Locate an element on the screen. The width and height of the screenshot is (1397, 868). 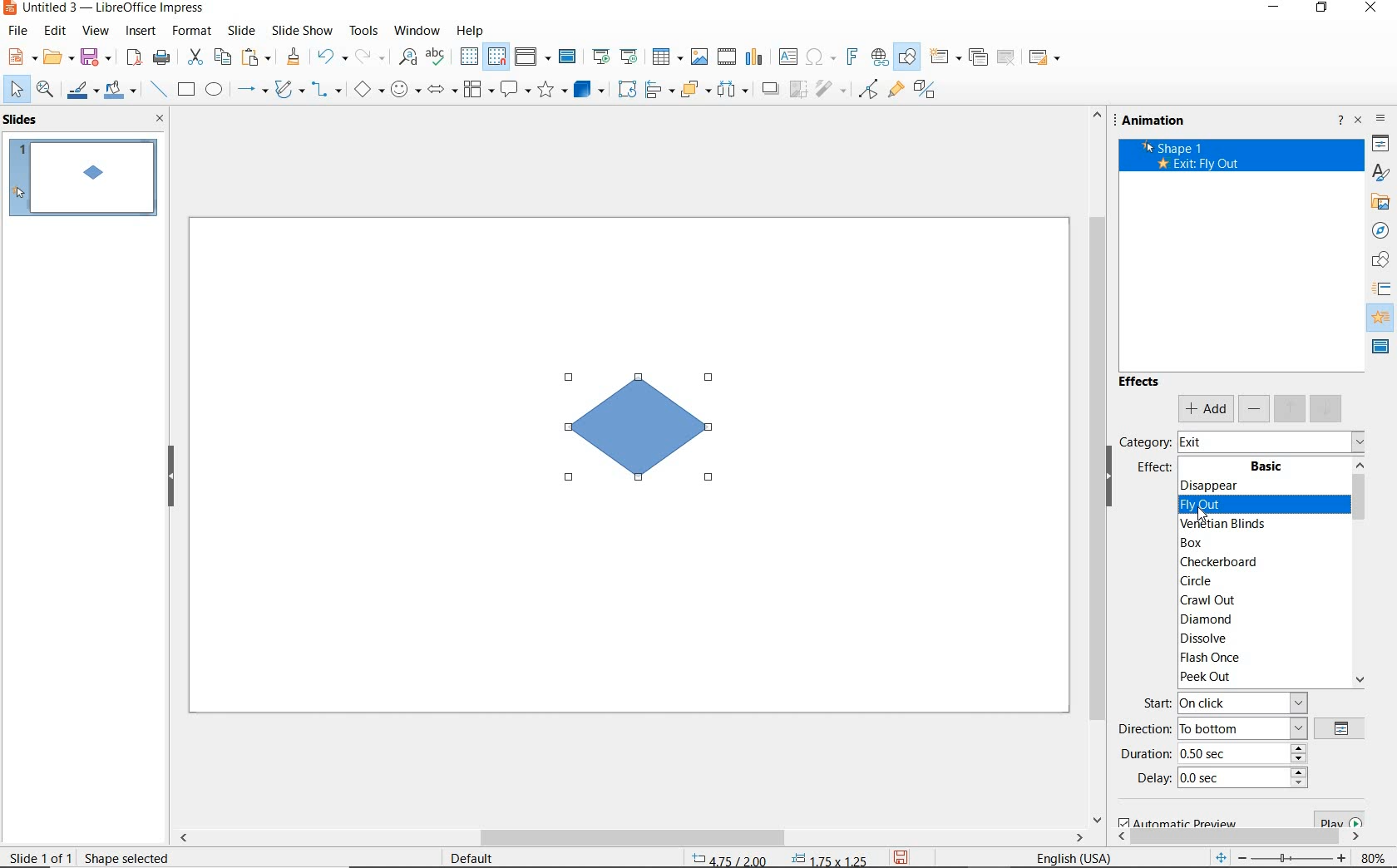
insert special characters is located at coordinates (819, 57).